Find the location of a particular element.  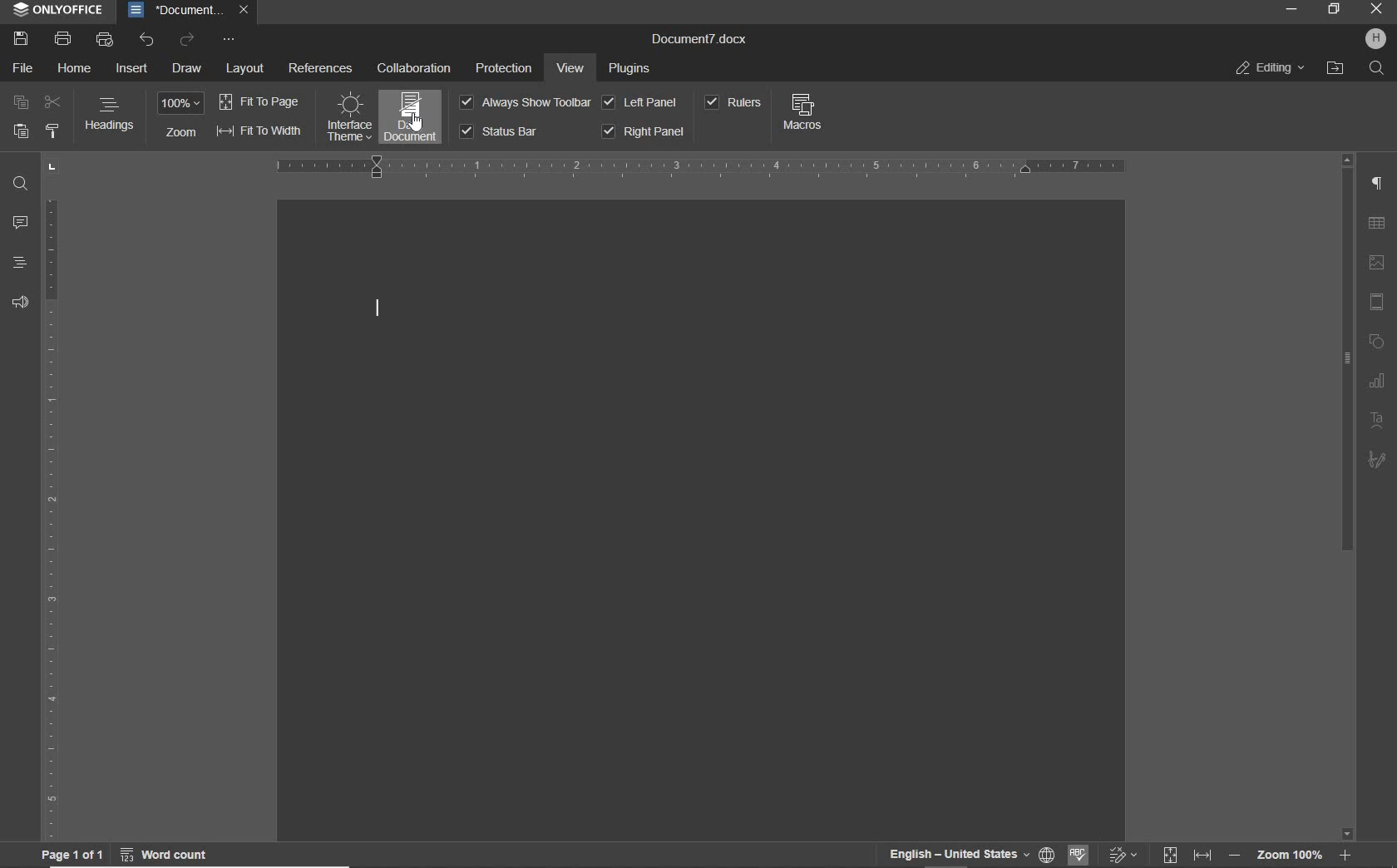

DOCUMENT THEME CHANGED is located at coordinates (705, 516).